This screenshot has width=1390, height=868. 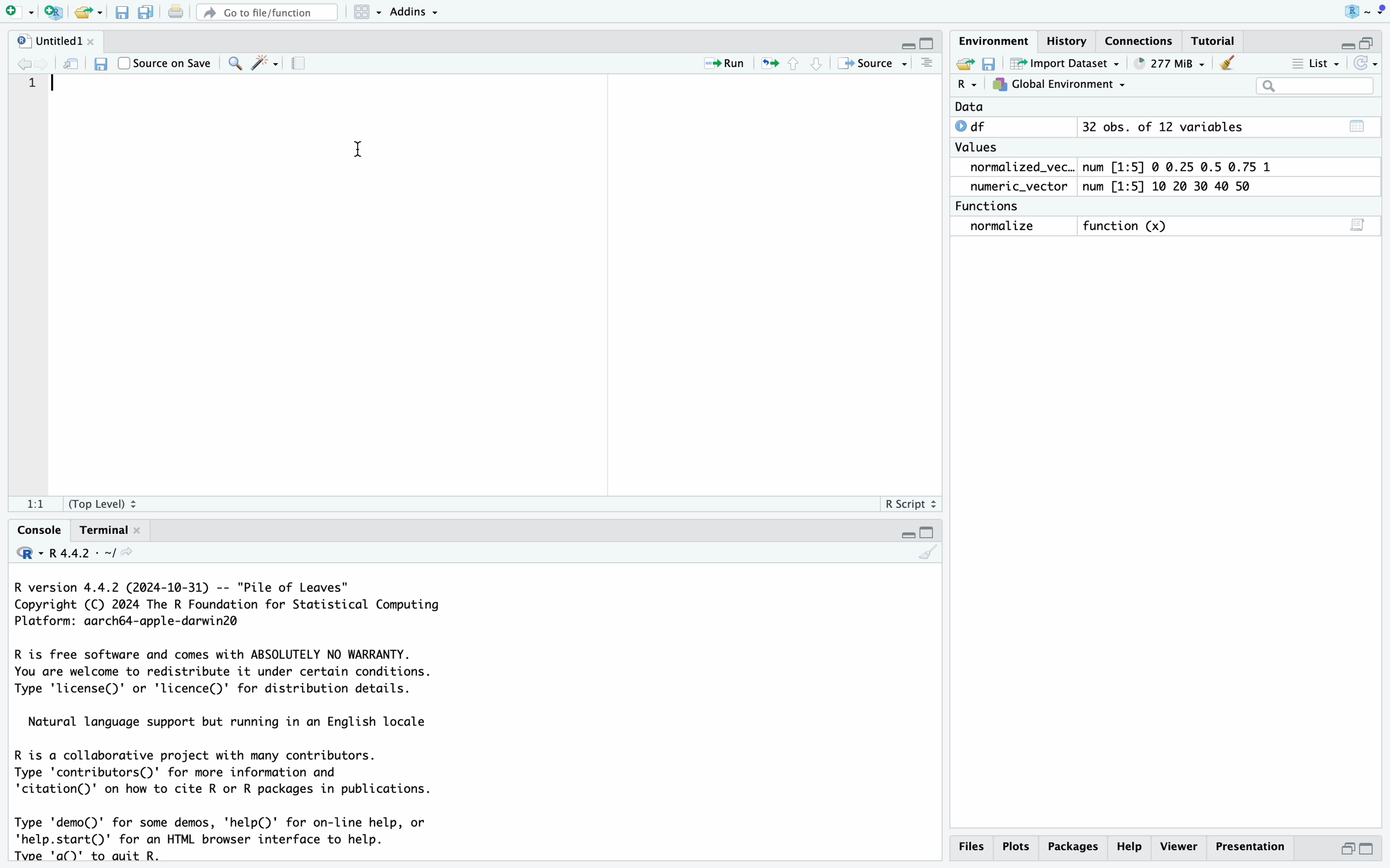 I want to click on Terminal, so click(x=108, y=531).